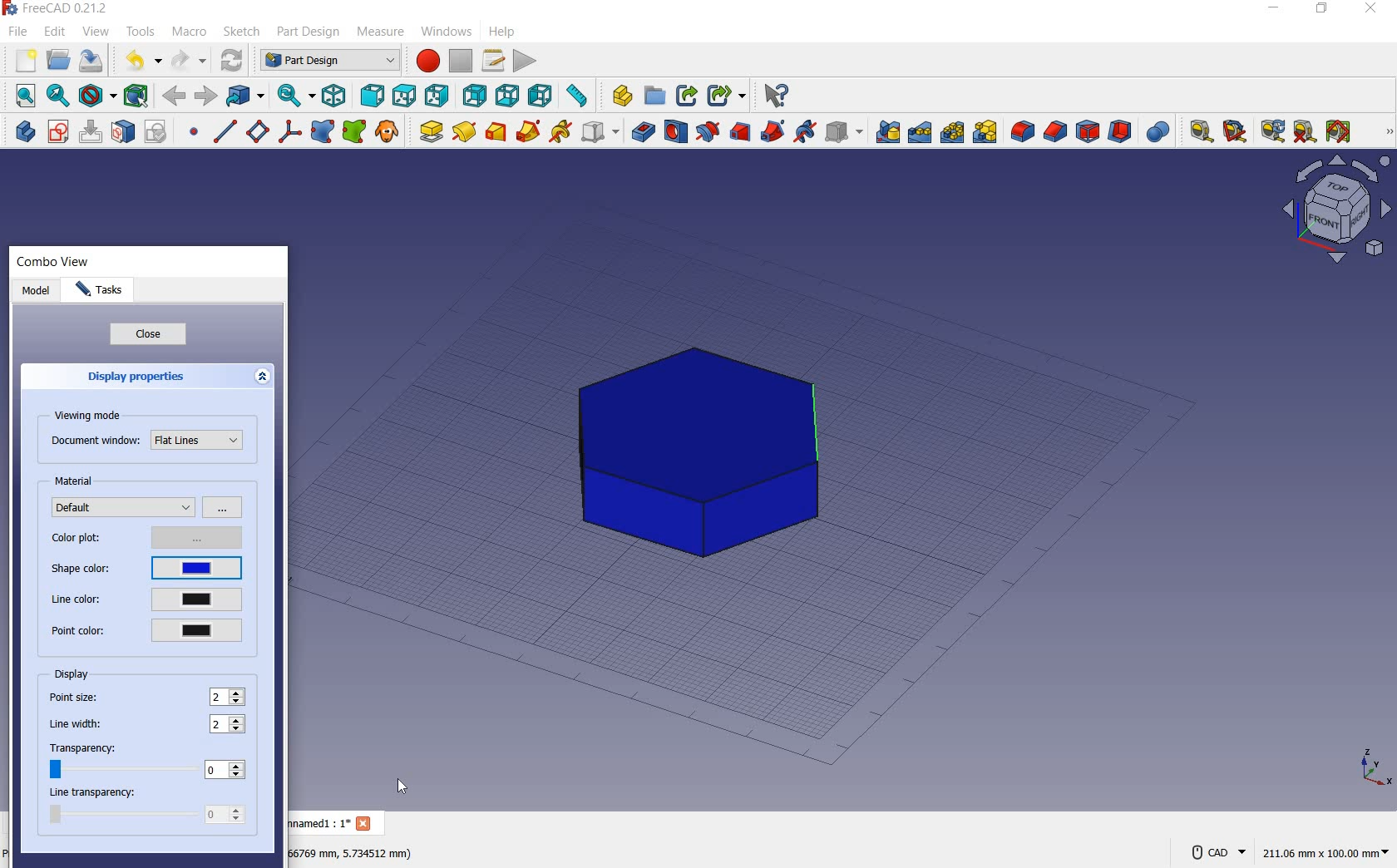  I want to click on MEASURE, so click(1386, 133).